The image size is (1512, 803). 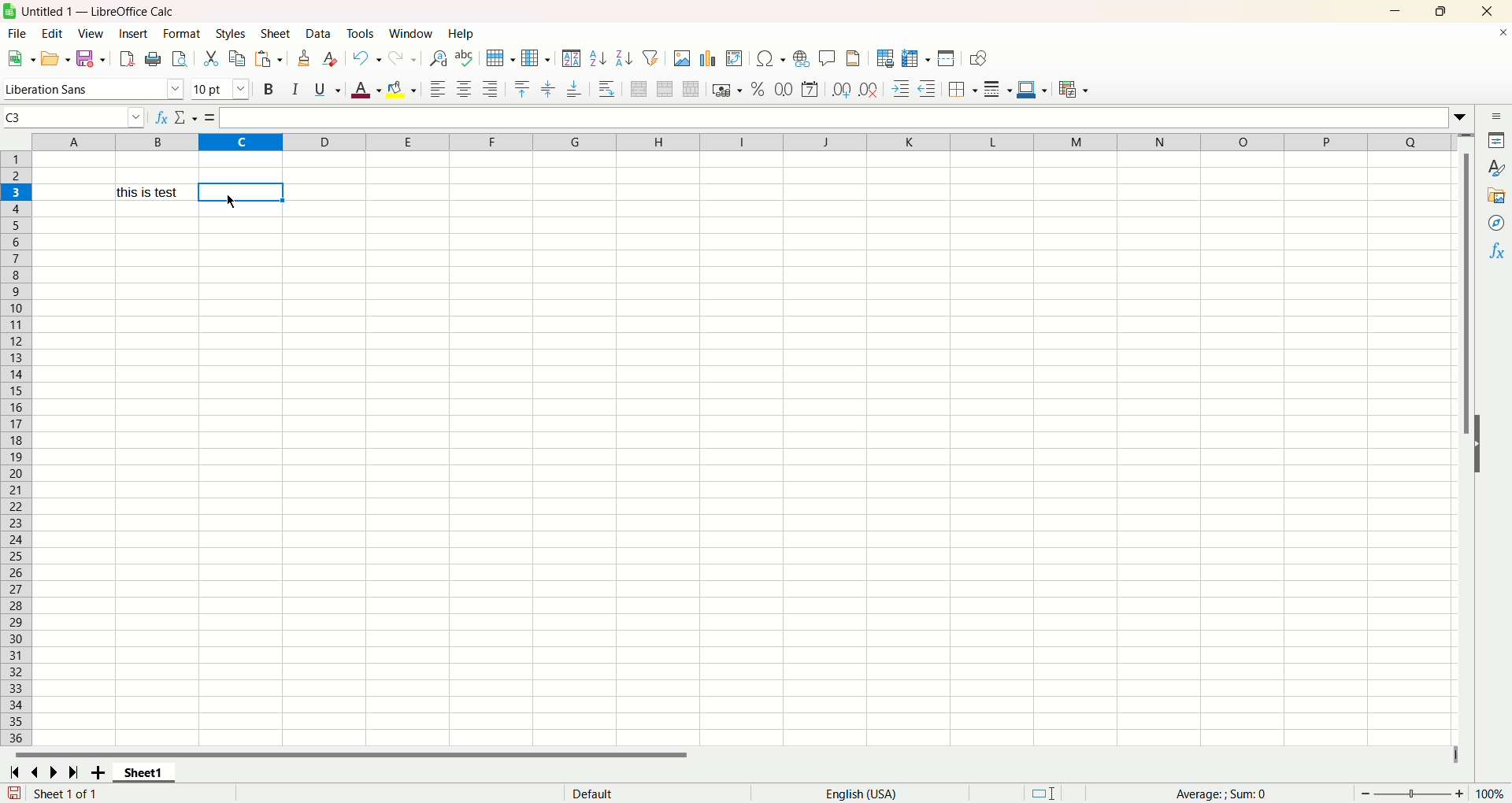 I want to click on sort ascending, so click(x=595, y=58).